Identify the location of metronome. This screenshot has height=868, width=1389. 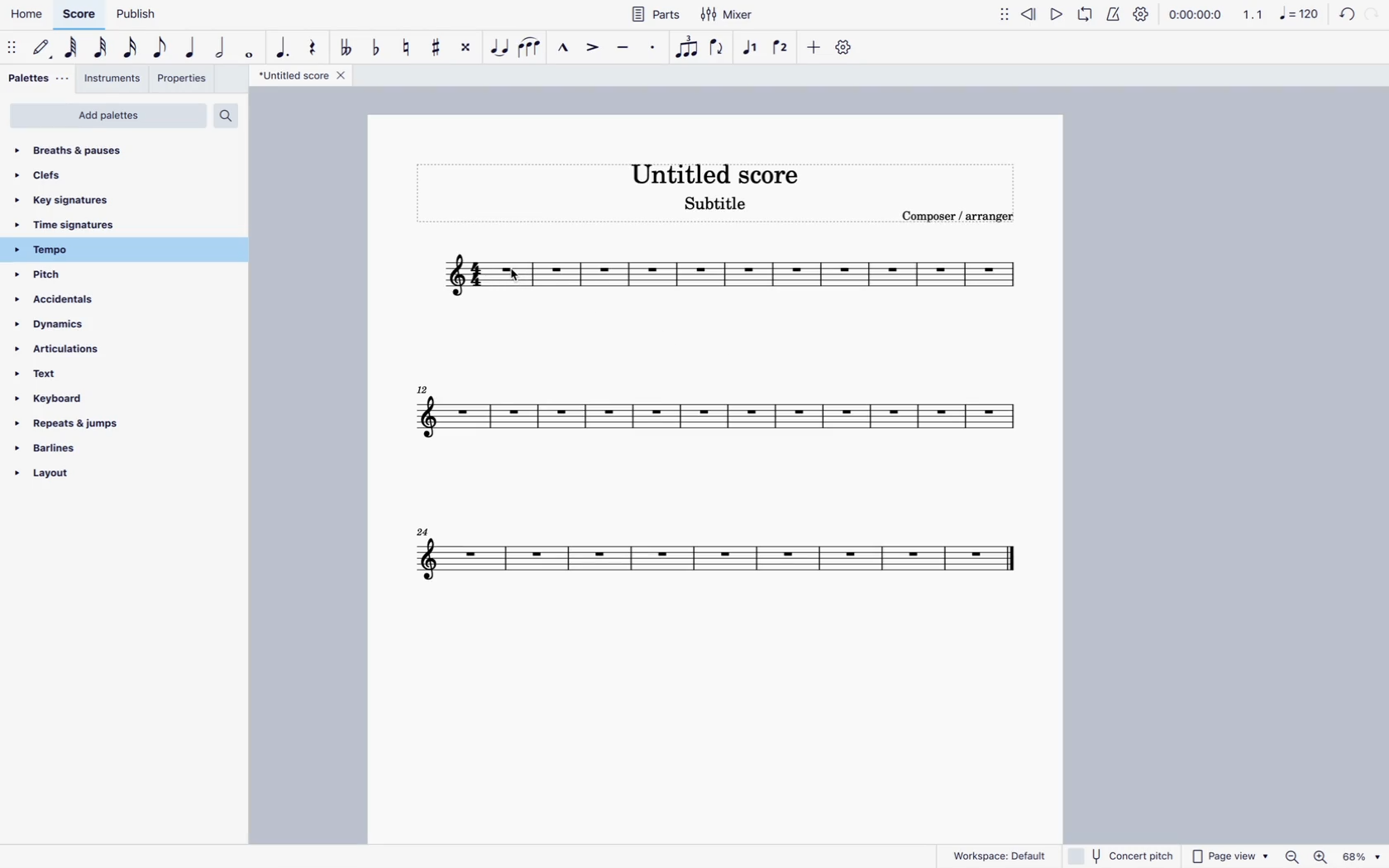
(1113, 15).